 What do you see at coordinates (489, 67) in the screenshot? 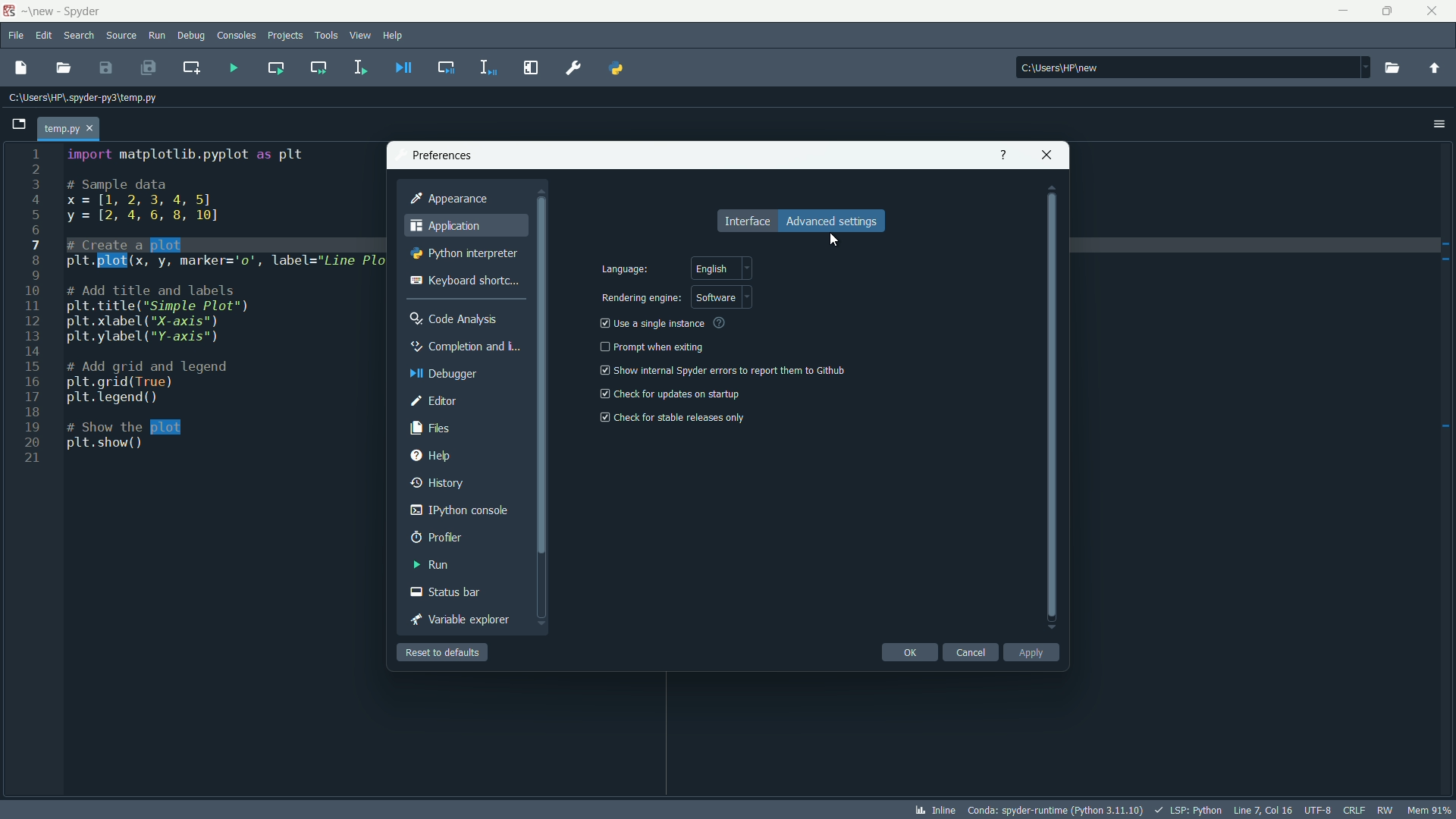
I see `debug selection` at bounding box center [489, 67].